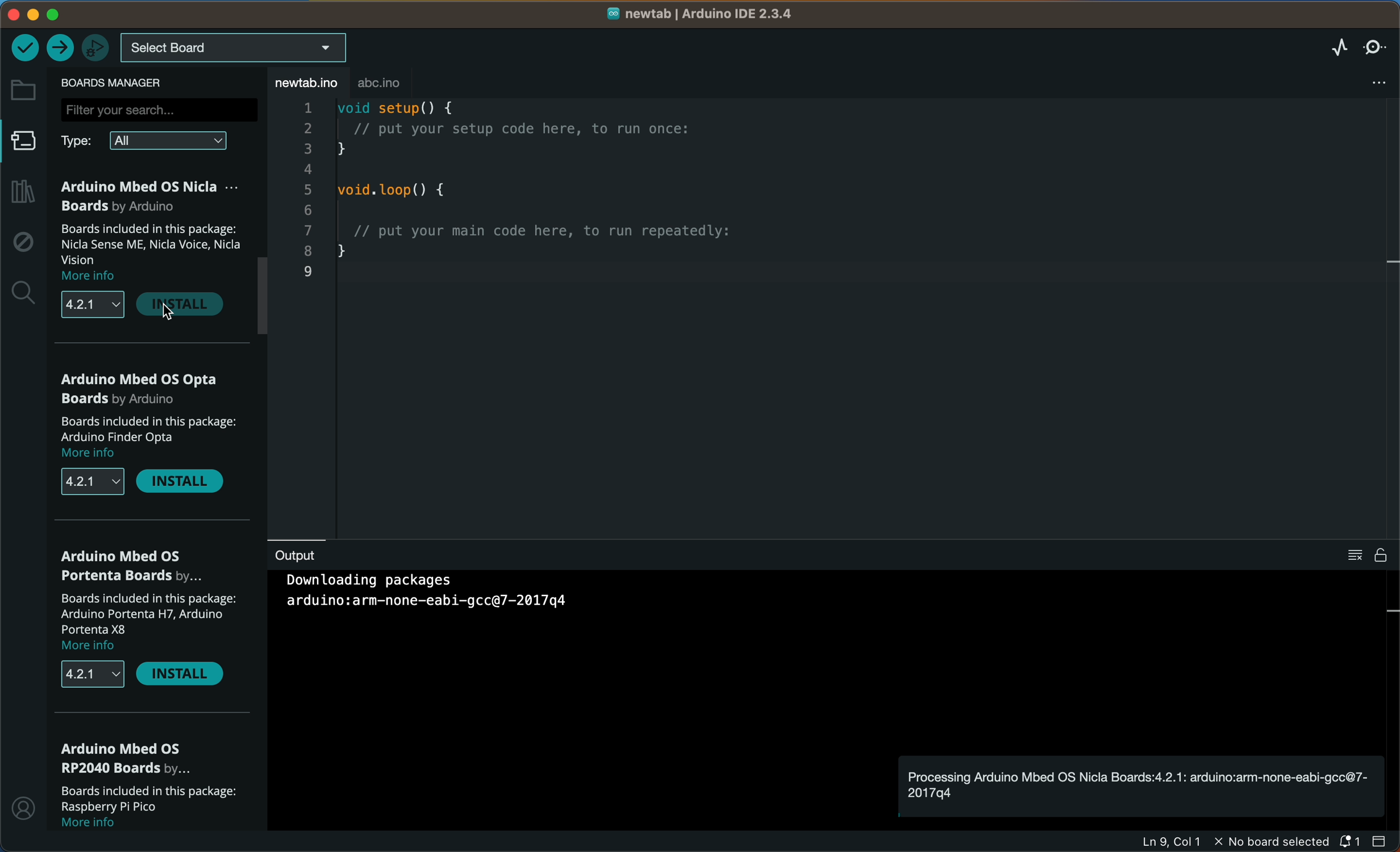 This screenshot has width=1400, height=852. What do you see at coordinates (52, 15) in the screenshot?
I see `windows control` at bounding box center [52, 15].